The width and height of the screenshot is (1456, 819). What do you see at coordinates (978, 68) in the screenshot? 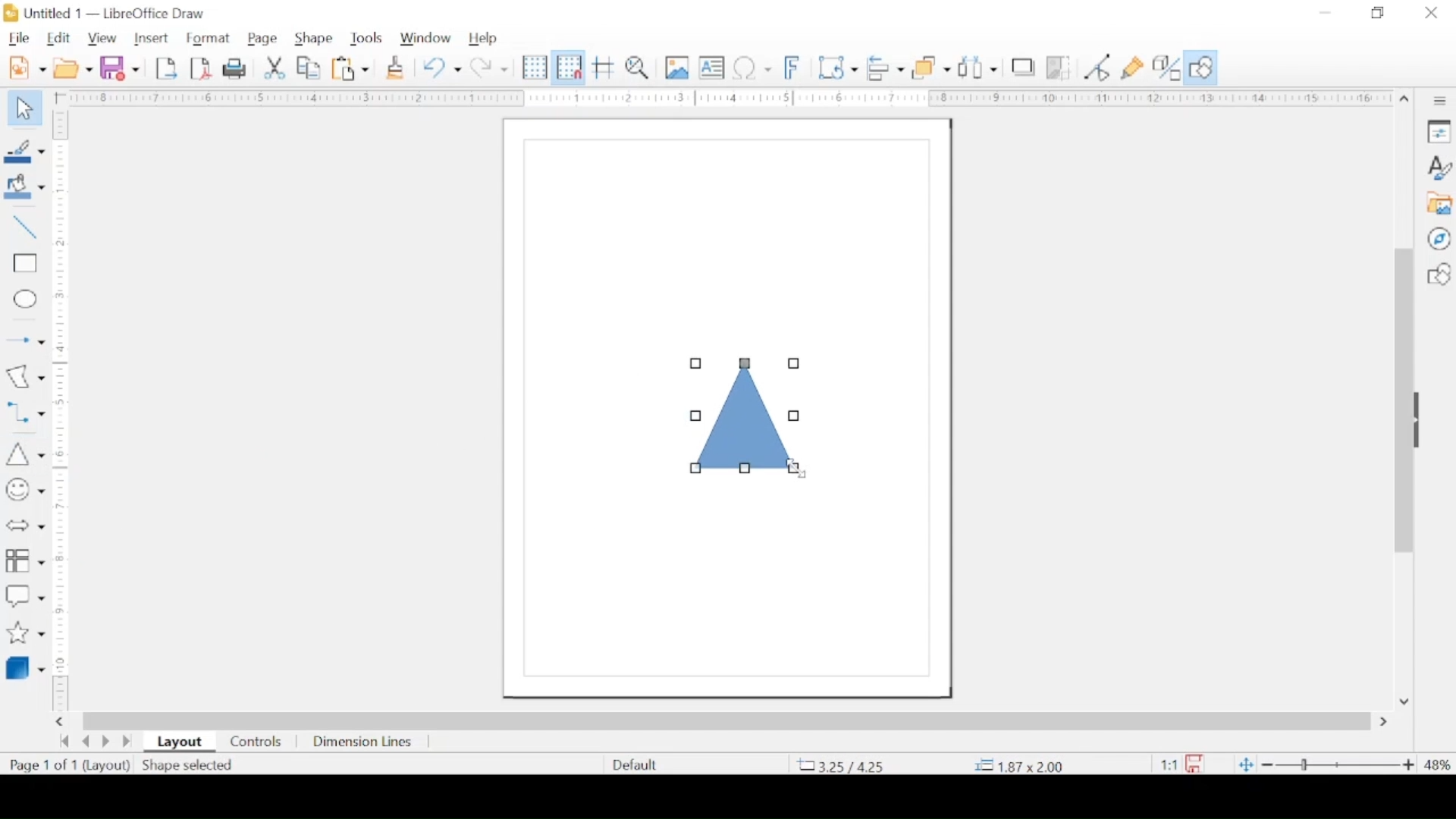
I see `show at least three objects to distribute` at bounding box center [978, 68].